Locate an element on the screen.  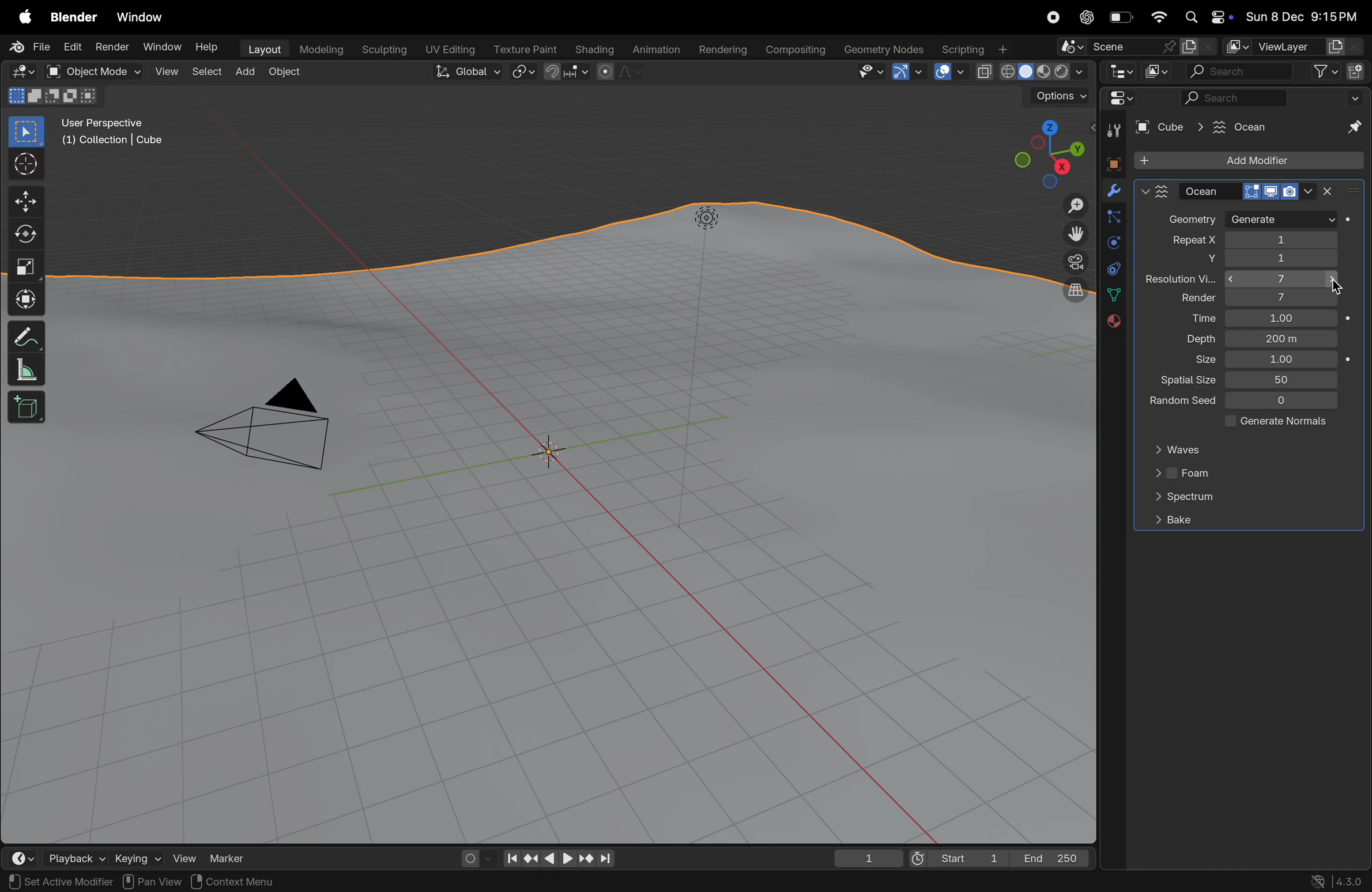
select cursor is located at coordinates (26, 167).